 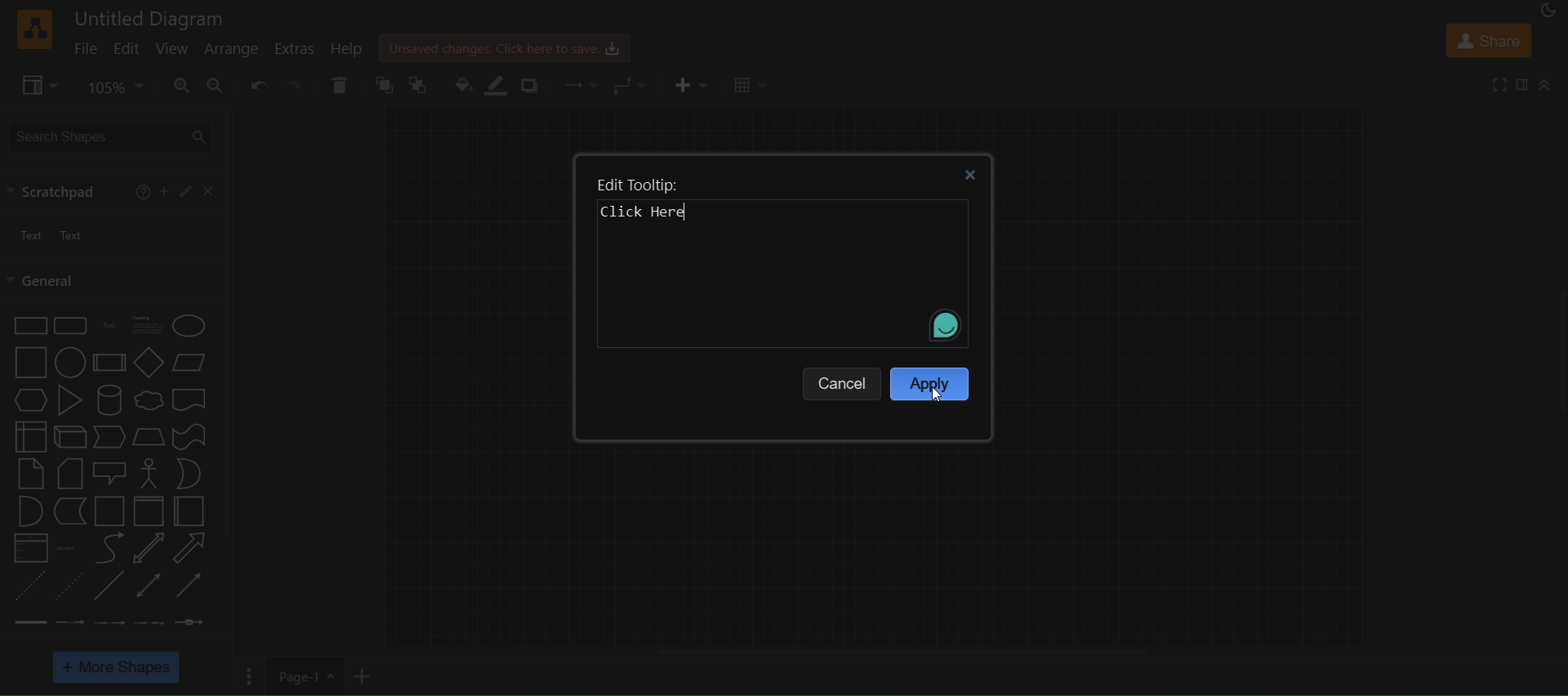 I want to click on edit, so click(x=184, y=193).